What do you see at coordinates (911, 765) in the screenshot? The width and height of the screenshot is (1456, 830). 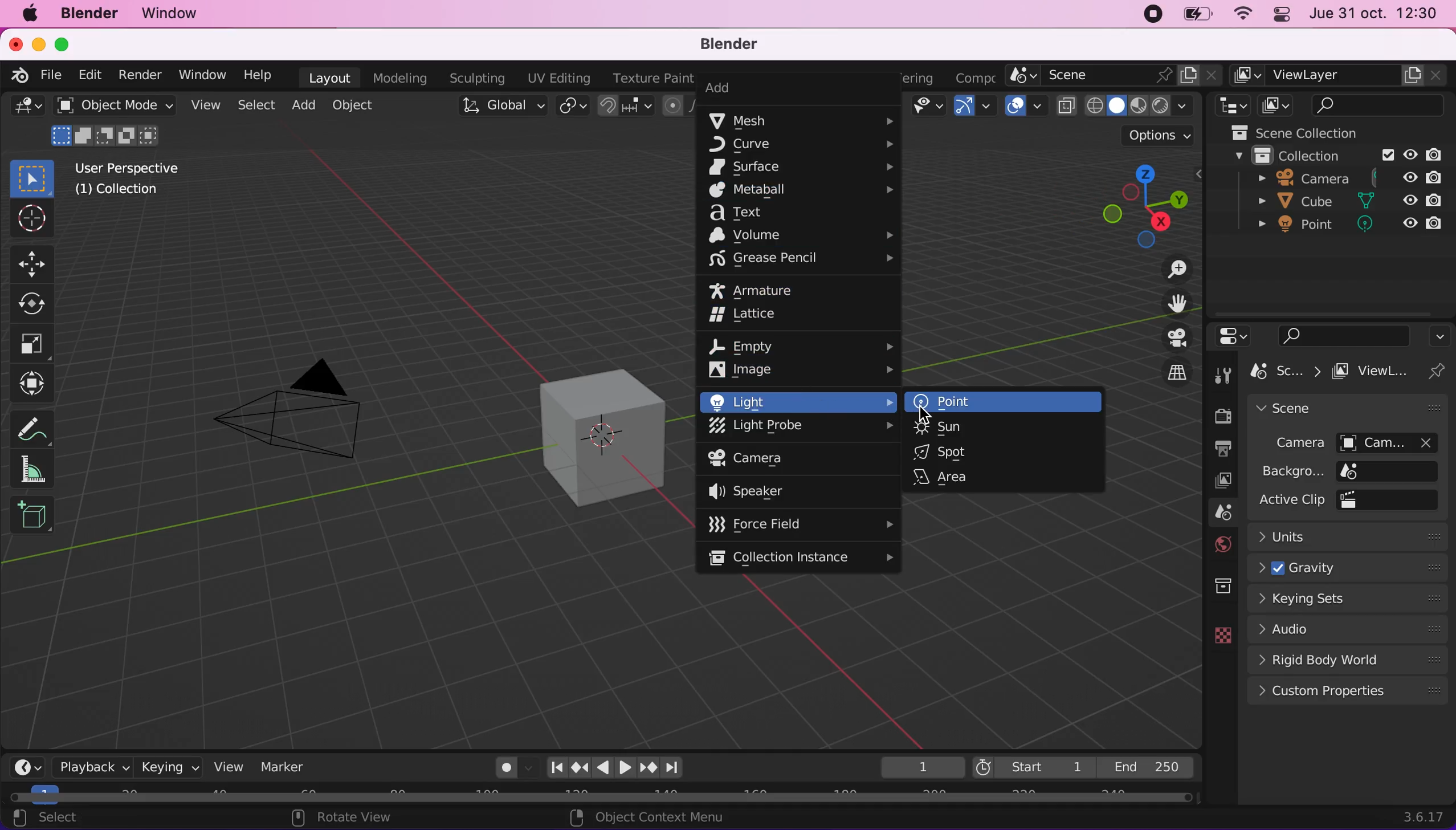 I see `1` at bounding box center [911, 765].